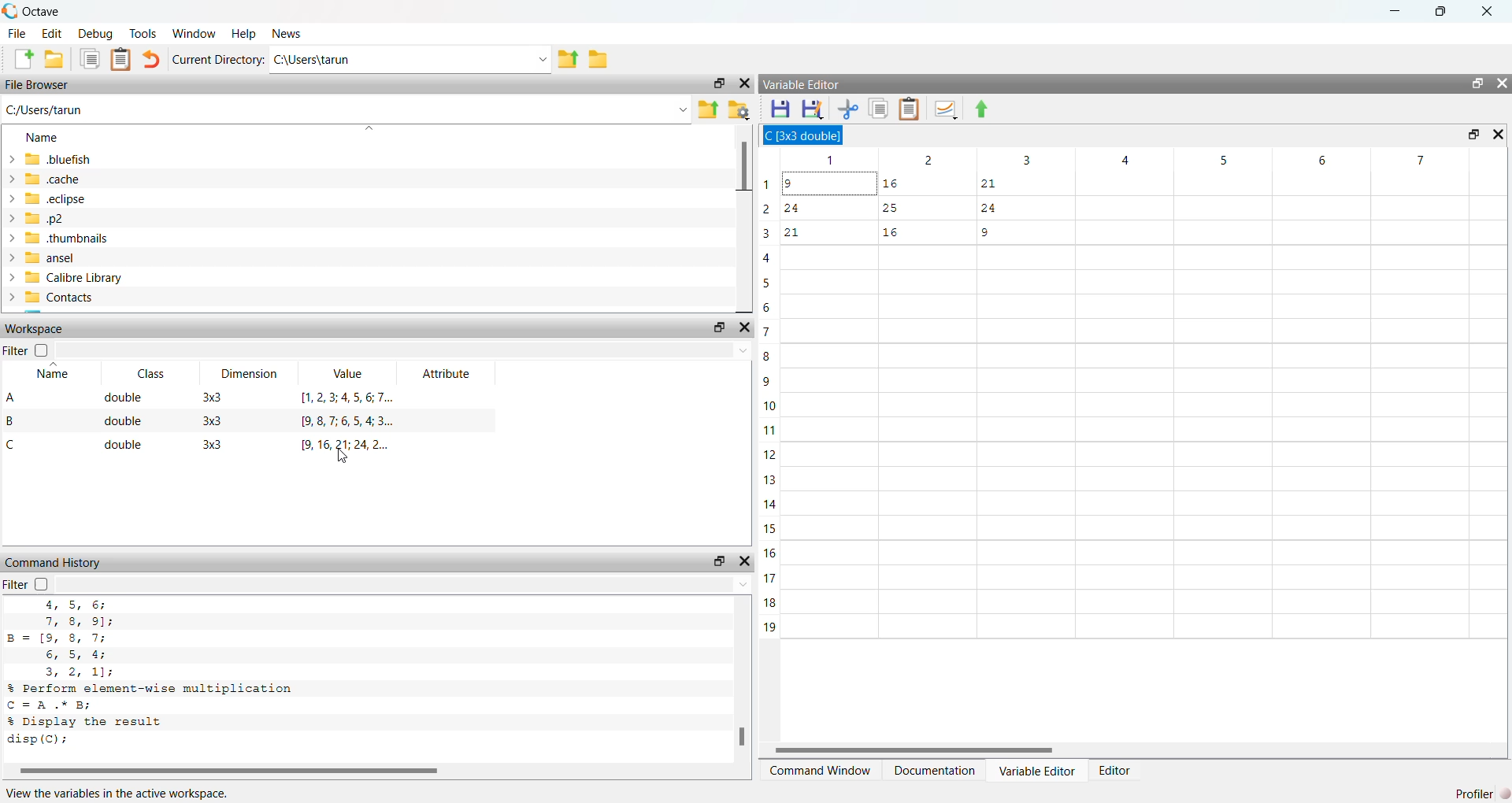 This screenshot has width=1512, height=803. What do you see at coordinates (118, 794) in the screenshot?
I see `View the variables in the active workspace.` at bounding box center [118, 794].